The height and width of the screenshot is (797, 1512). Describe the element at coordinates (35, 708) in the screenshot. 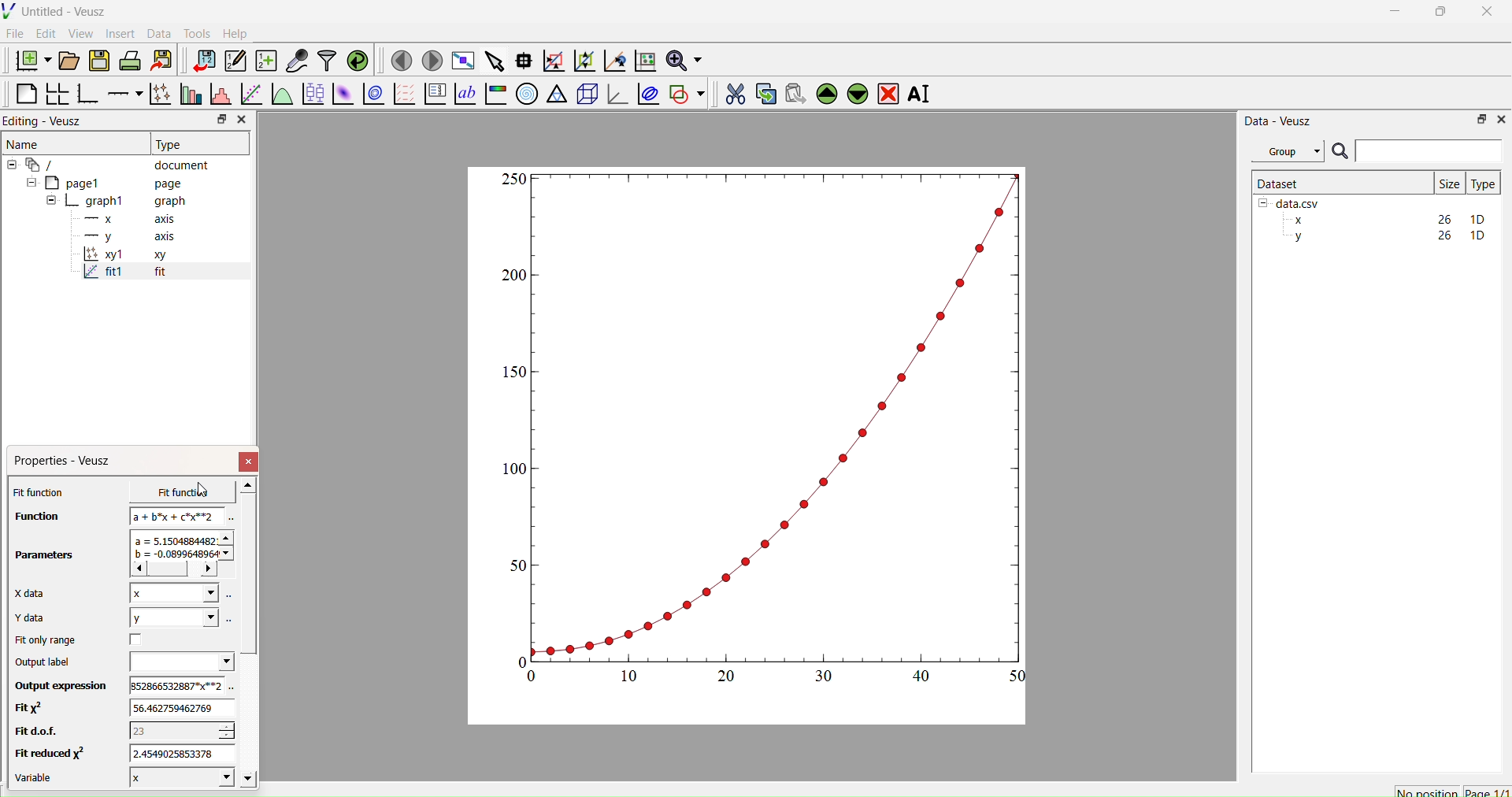

I see `Fit x^2` at that location.